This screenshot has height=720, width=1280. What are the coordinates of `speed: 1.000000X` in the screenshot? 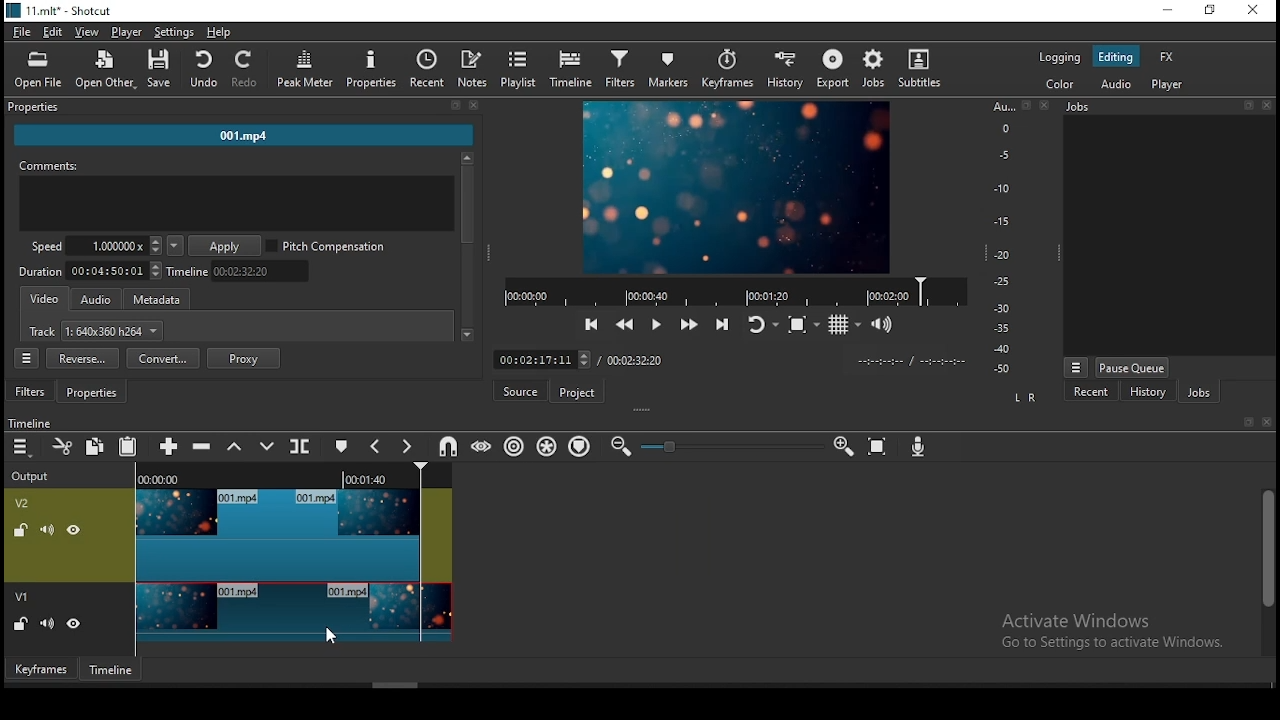 It's located at (90, 246).